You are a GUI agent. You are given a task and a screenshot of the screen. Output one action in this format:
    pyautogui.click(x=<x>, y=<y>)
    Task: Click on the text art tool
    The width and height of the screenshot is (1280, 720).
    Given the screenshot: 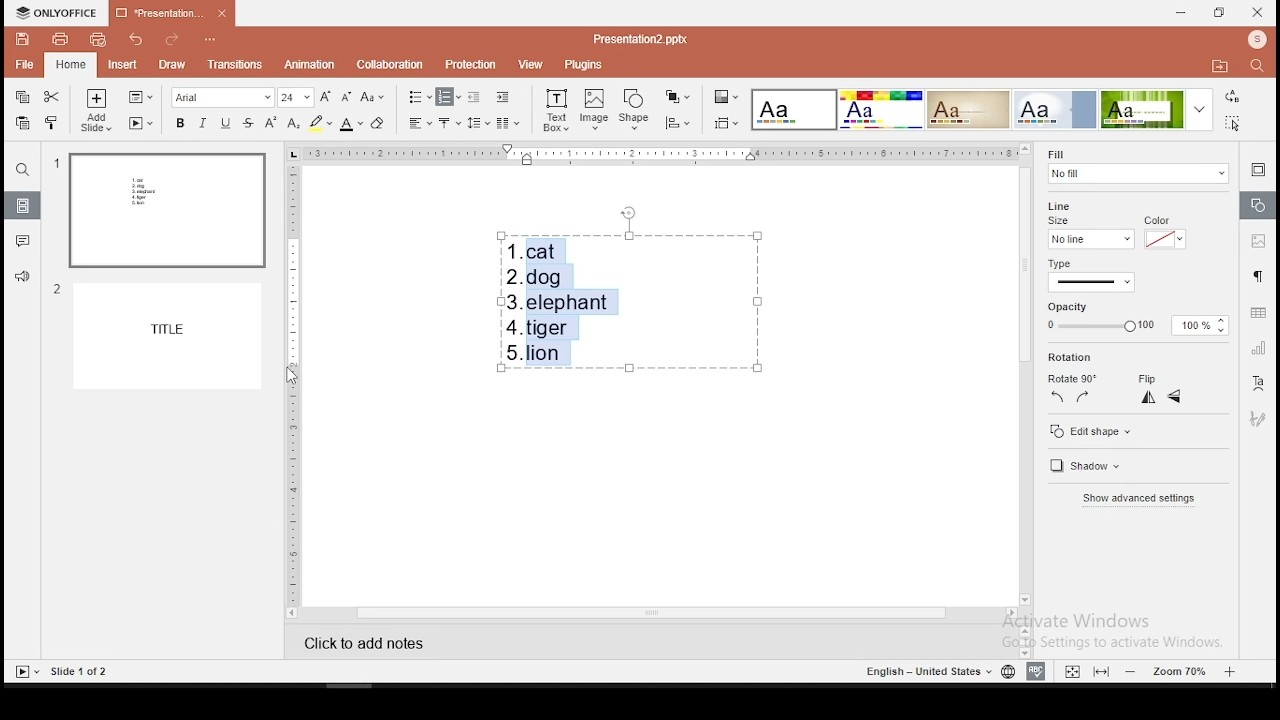 What is the action you would take?
    pyautogui.click(x=1259, y=384)
    